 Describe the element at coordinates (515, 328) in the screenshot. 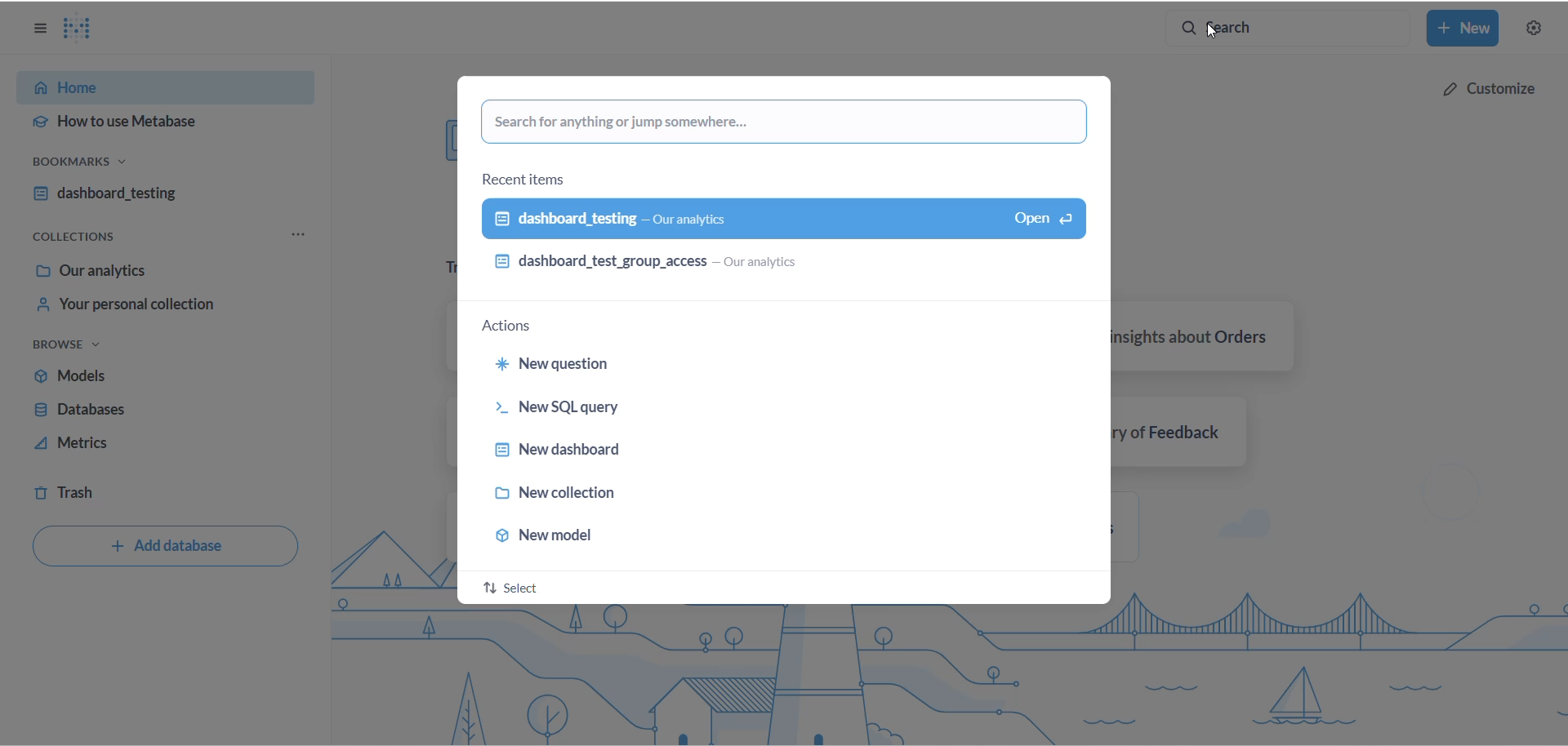

I see `action ` at that location.